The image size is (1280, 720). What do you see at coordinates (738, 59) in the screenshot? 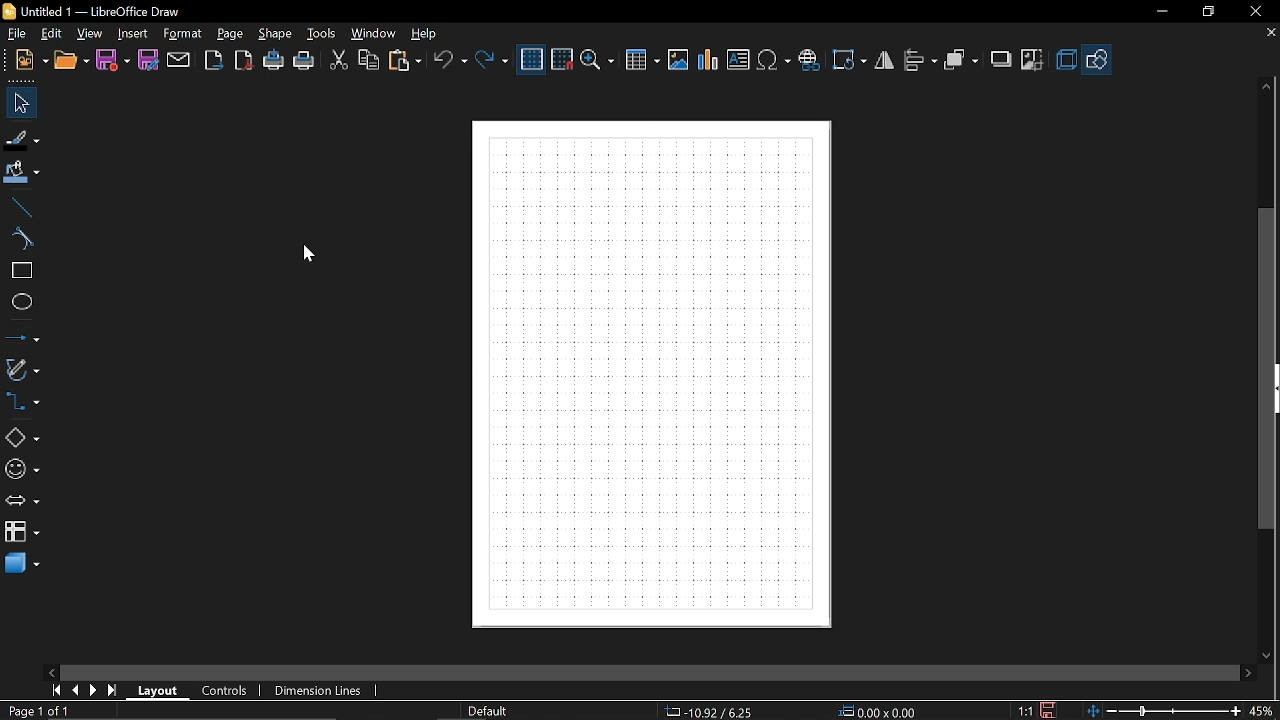
I see `Insret text` at bounding box center [738, 59].